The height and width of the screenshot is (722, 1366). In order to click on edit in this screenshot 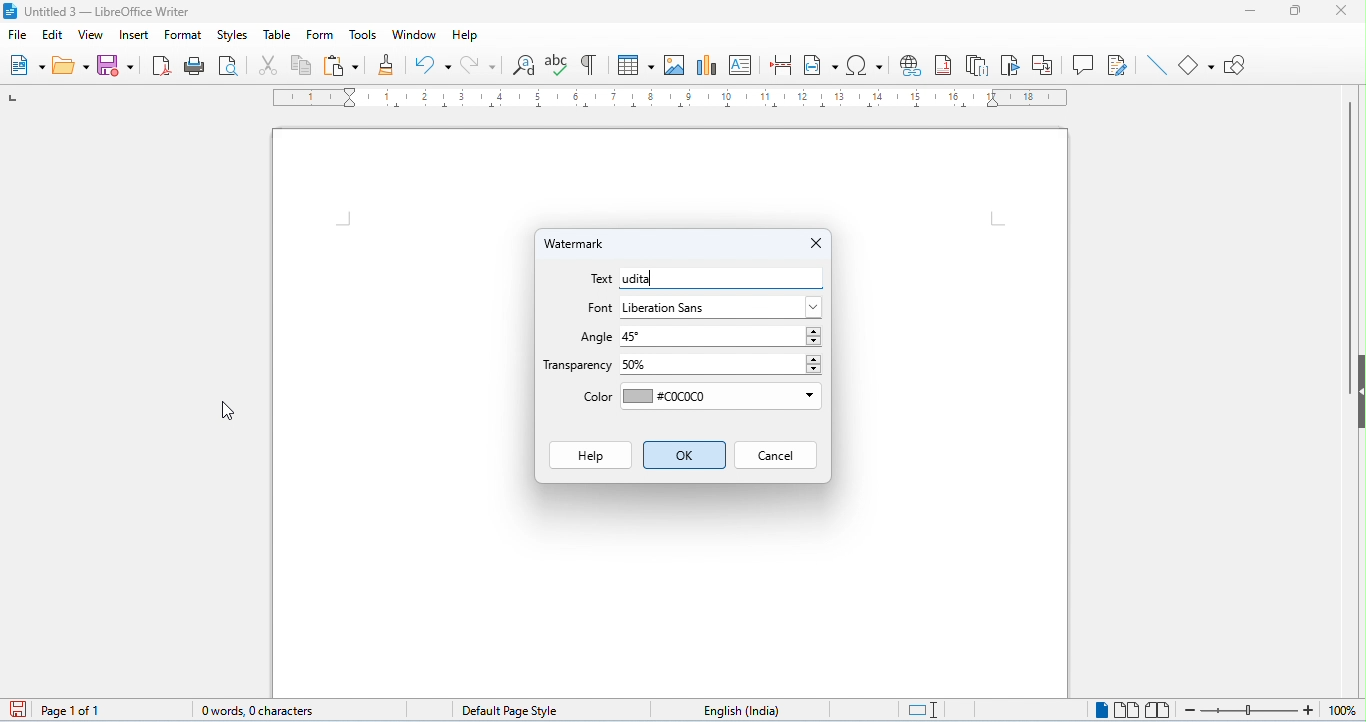, I will do `click(52, 35)`.